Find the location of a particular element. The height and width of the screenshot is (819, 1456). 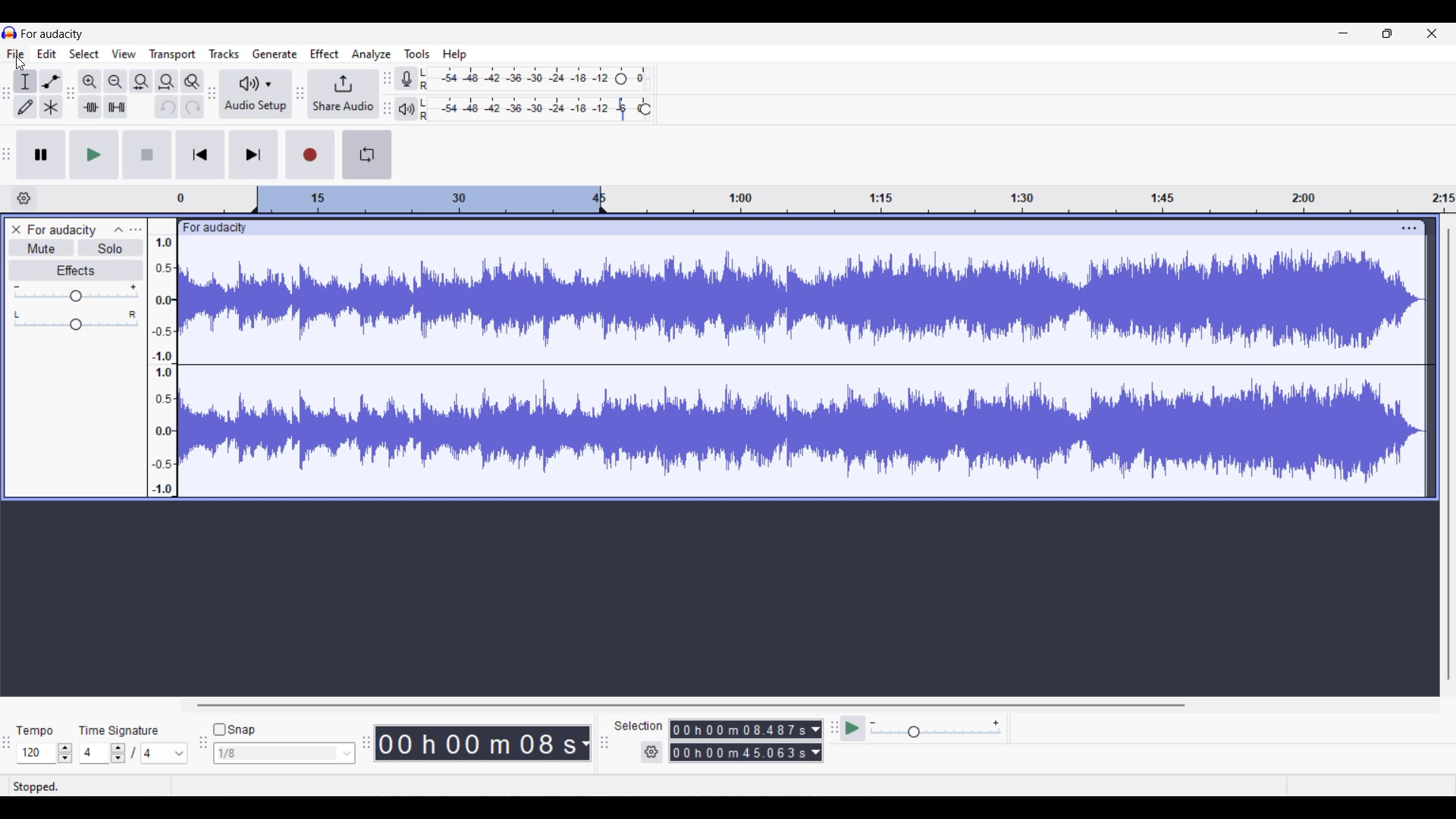

Selection tool is located at coordinates (24, 83).